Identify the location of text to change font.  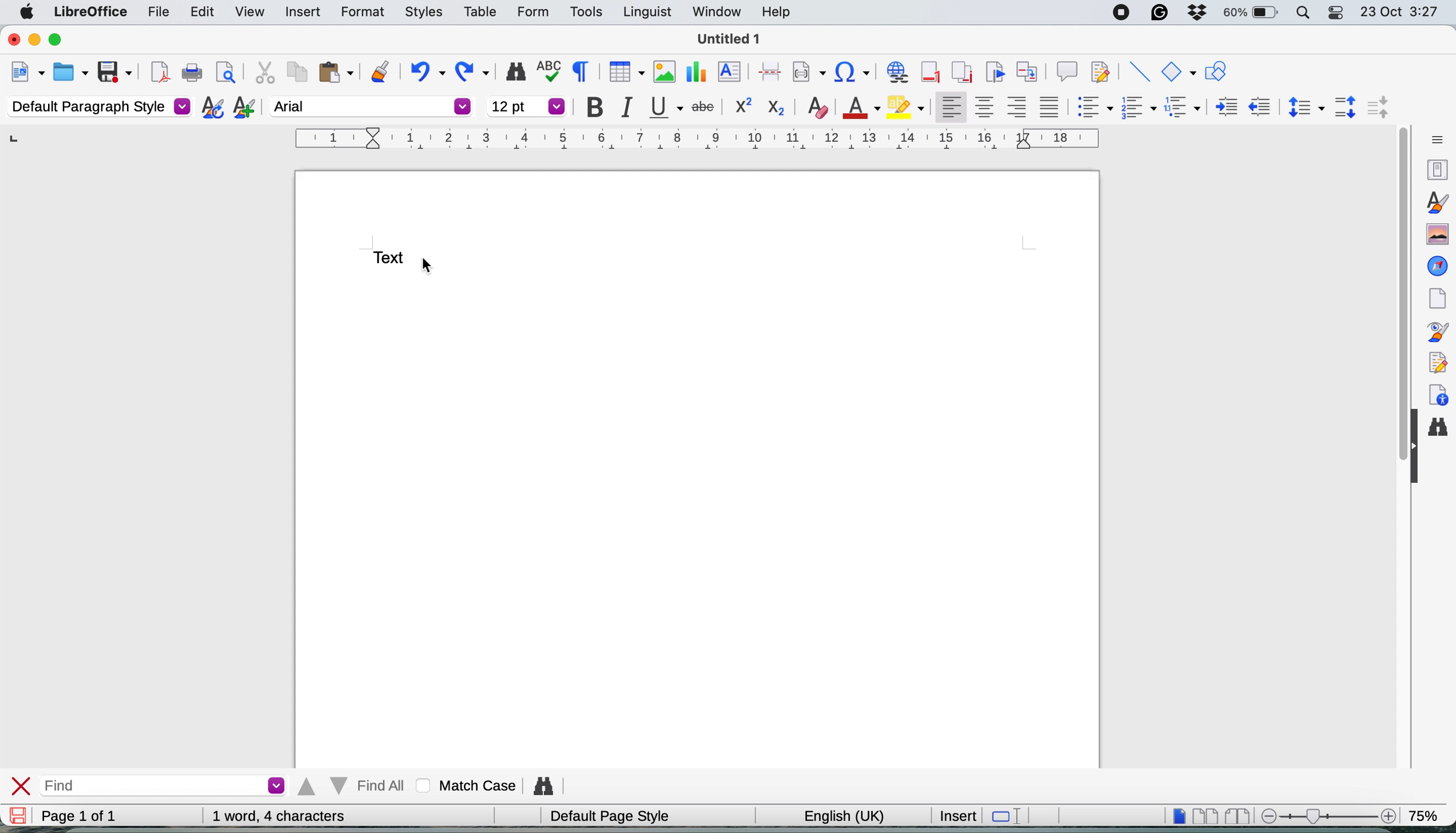
(390, 257).